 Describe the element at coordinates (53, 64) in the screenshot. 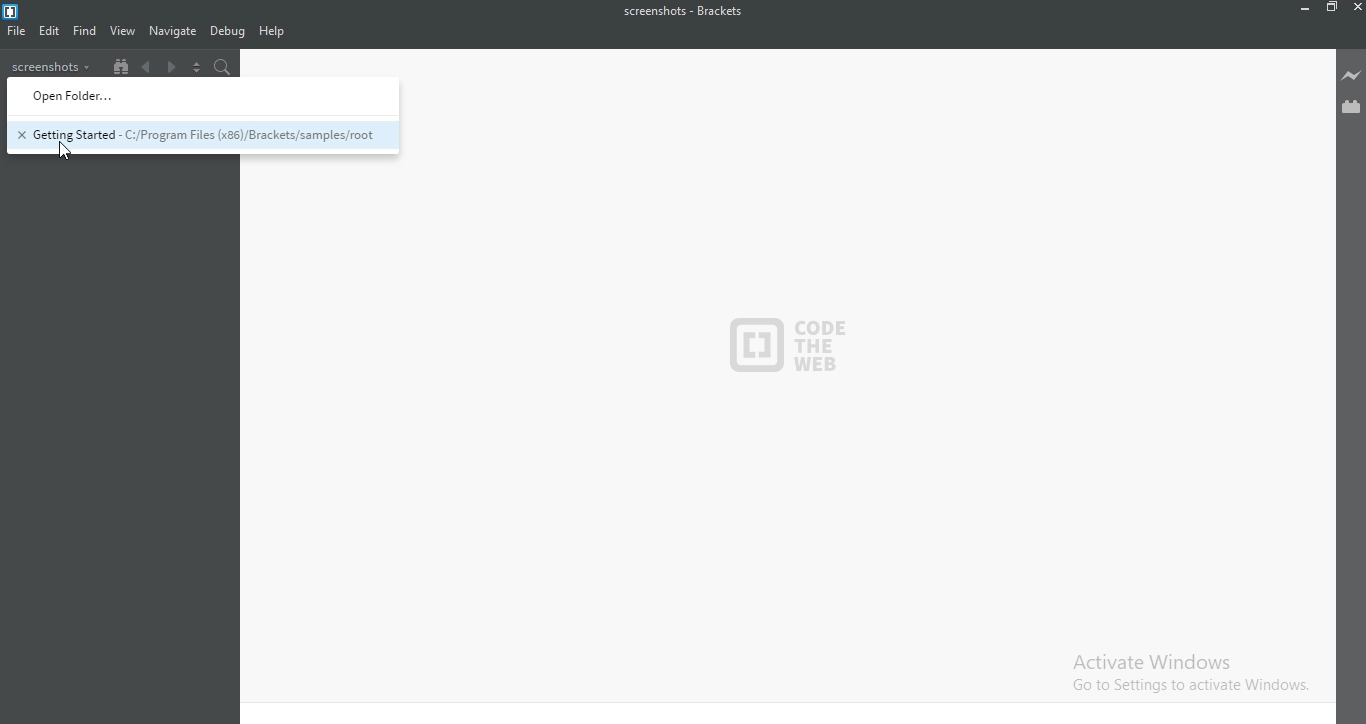

I see `screenshots dropdown` at that location.